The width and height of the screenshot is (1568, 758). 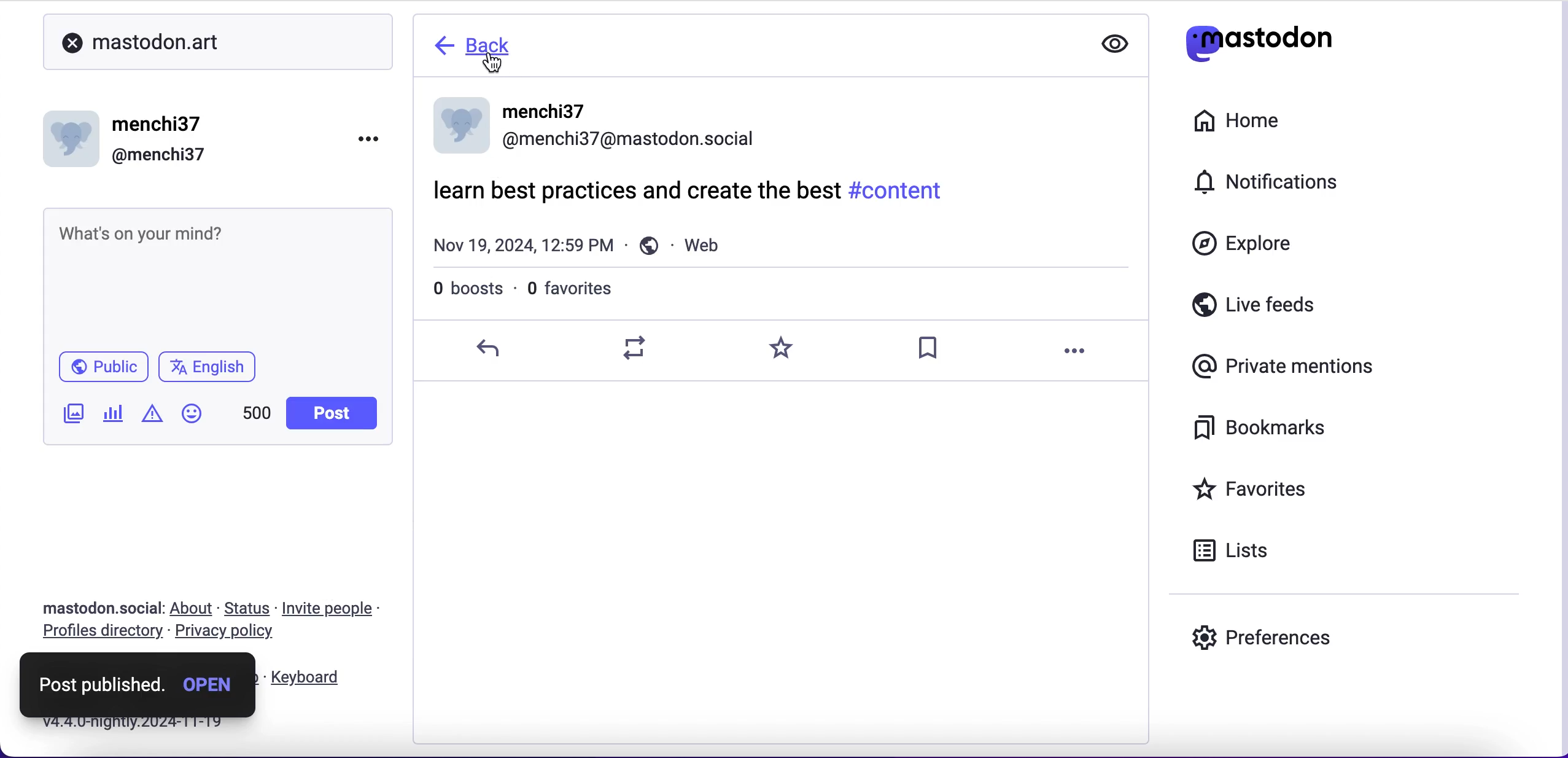 What do you see at coordinates (340, 608) in the screenshot?
I see `invite people` at bounding box center [340, 608].